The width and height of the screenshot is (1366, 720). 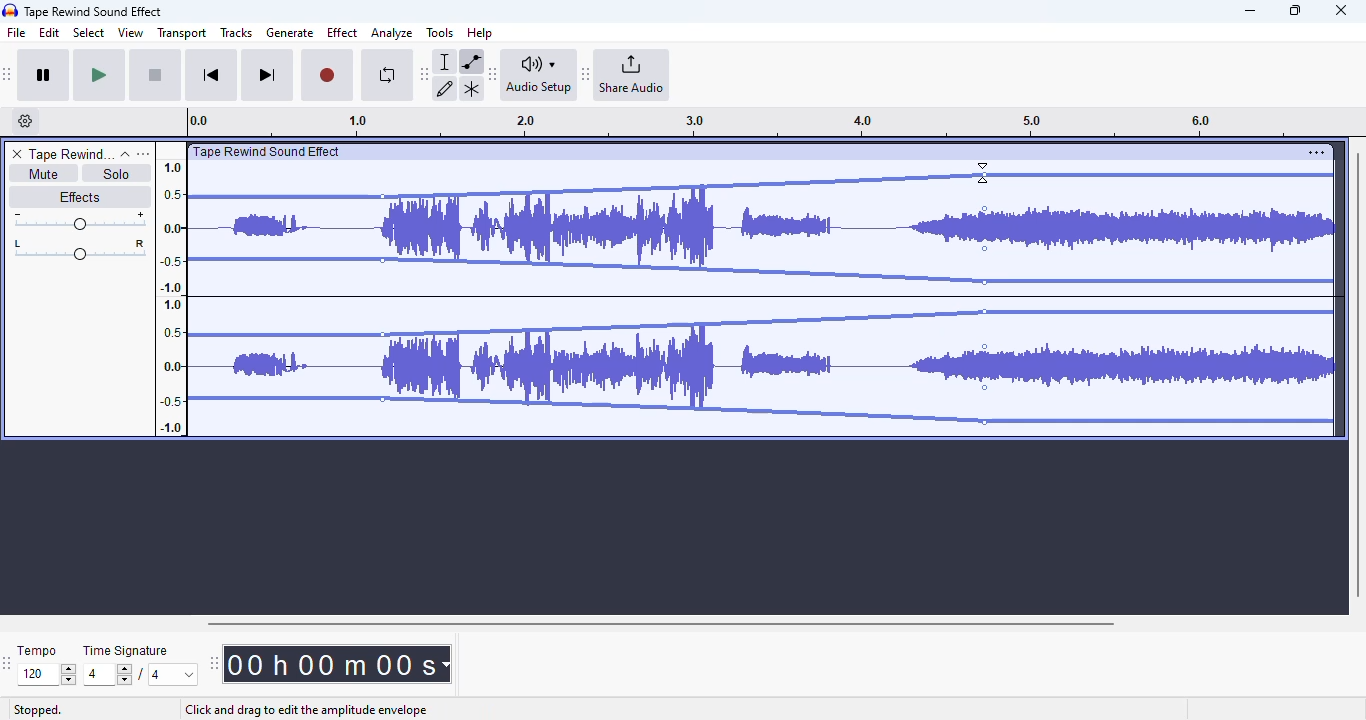 I want to click on Control point, so click(x=382, y=335).